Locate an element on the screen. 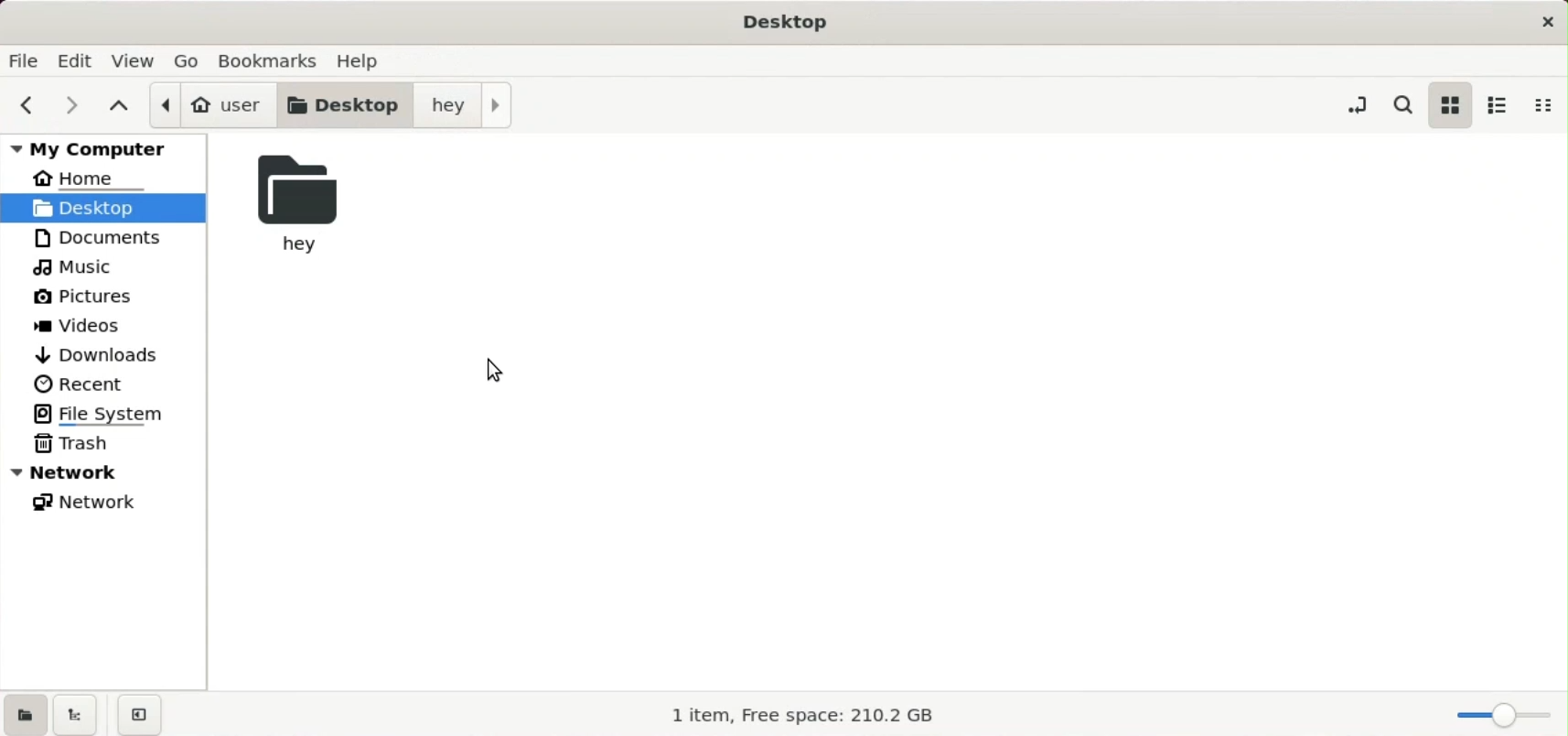 This screenshot has width=1568, height=736. close is located at coordinates (1546, 23).